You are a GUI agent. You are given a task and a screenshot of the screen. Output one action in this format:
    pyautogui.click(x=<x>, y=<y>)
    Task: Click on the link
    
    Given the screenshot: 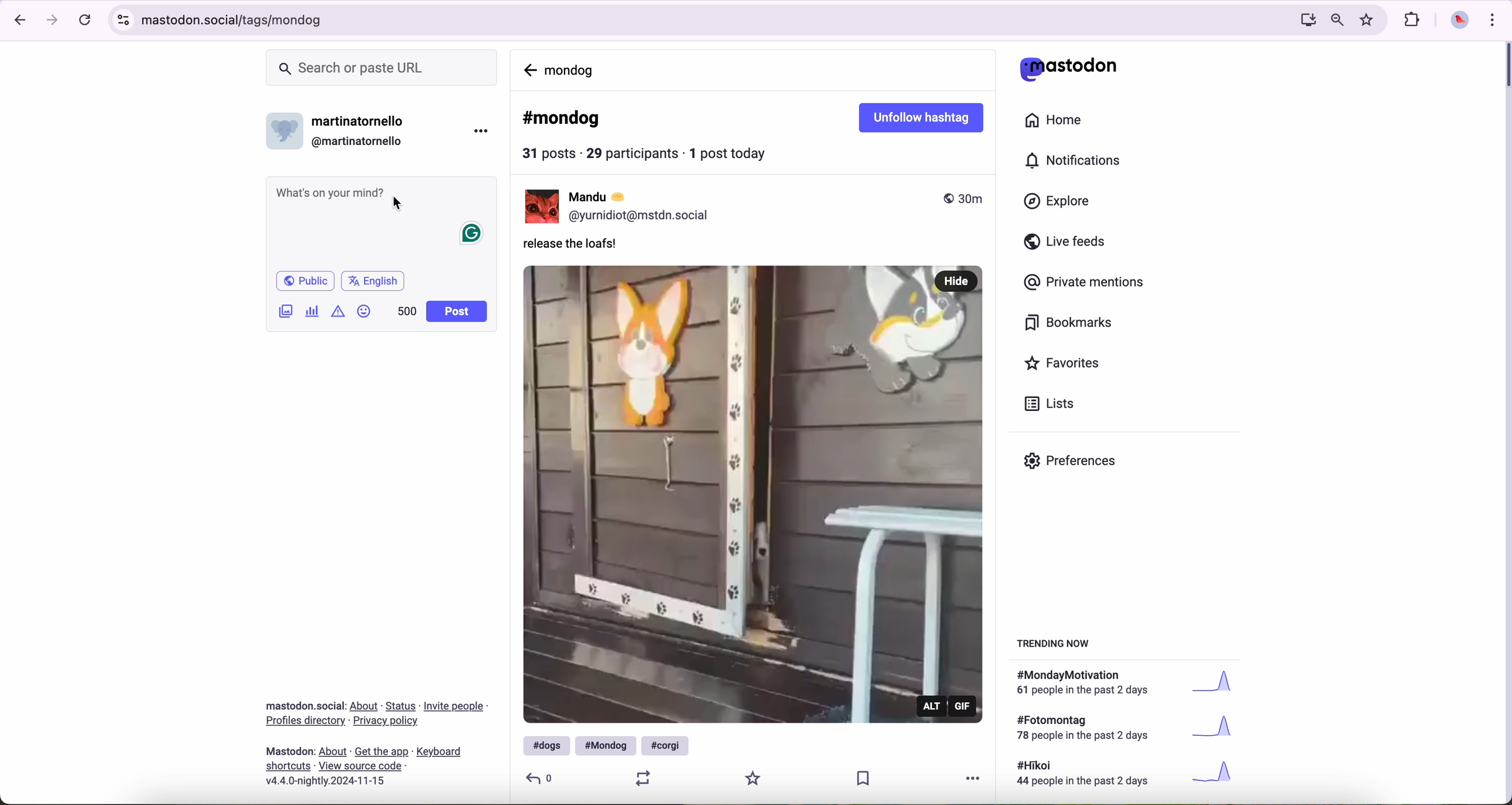 What is the action you would take?
    pyautogui.click(x=401, y=707)
    